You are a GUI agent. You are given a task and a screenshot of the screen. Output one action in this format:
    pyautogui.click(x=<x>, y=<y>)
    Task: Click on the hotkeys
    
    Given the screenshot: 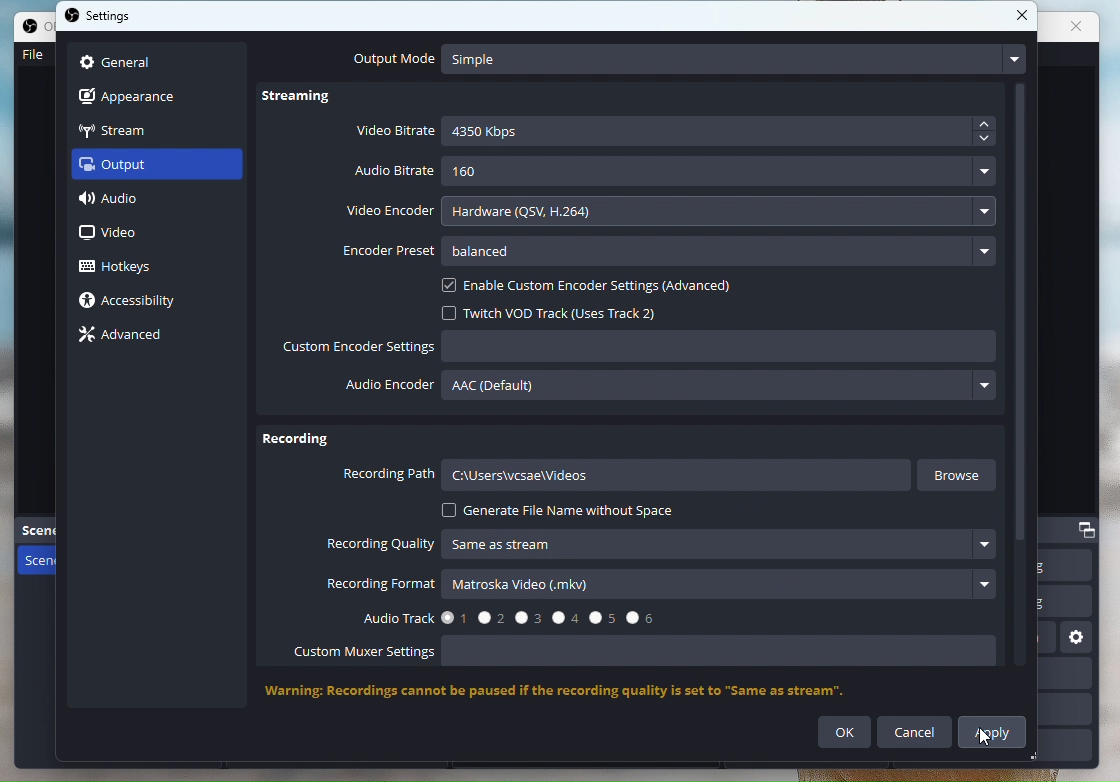 What is the action you would take?
    pyautogui.click(x=131, y=264)
    